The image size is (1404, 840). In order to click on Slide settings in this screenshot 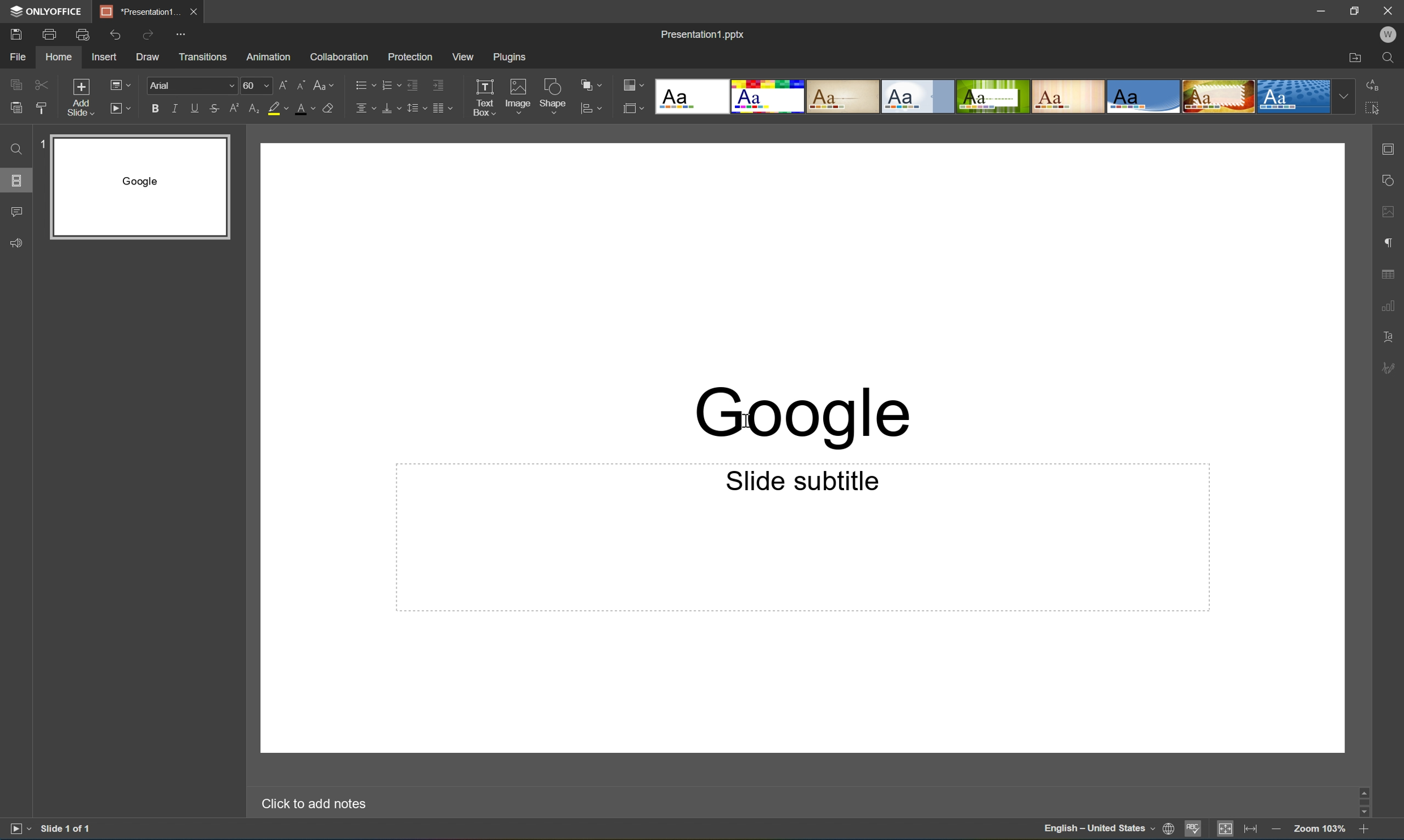, I will do `click(1390, 148)`.